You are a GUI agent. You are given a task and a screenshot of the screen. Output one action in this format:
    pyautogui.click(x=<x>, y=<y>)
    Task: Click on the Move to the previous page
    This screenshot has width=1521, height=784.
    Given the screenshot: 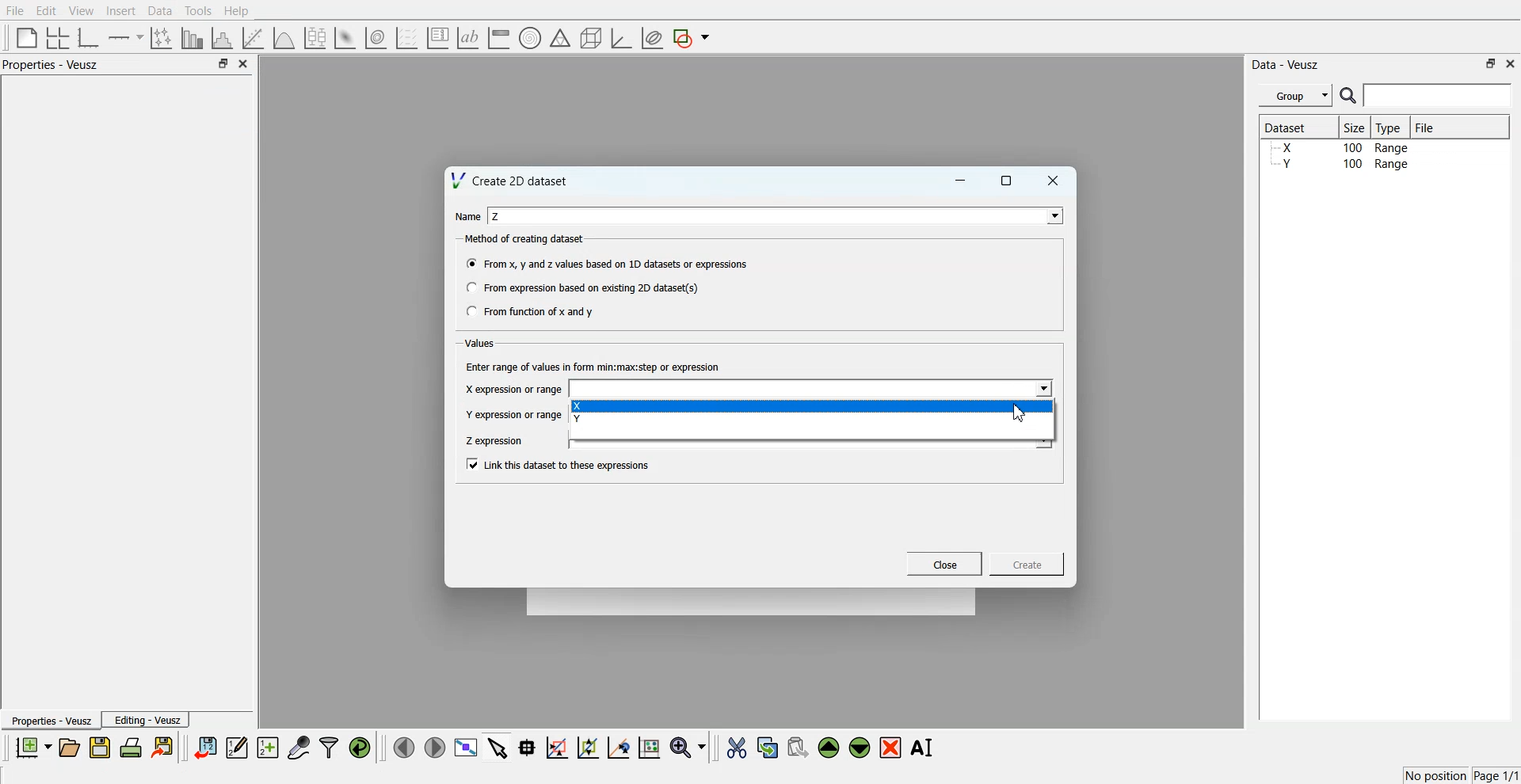 What is the action you would take?
    pyautogui.click(x=404, y=747)
    